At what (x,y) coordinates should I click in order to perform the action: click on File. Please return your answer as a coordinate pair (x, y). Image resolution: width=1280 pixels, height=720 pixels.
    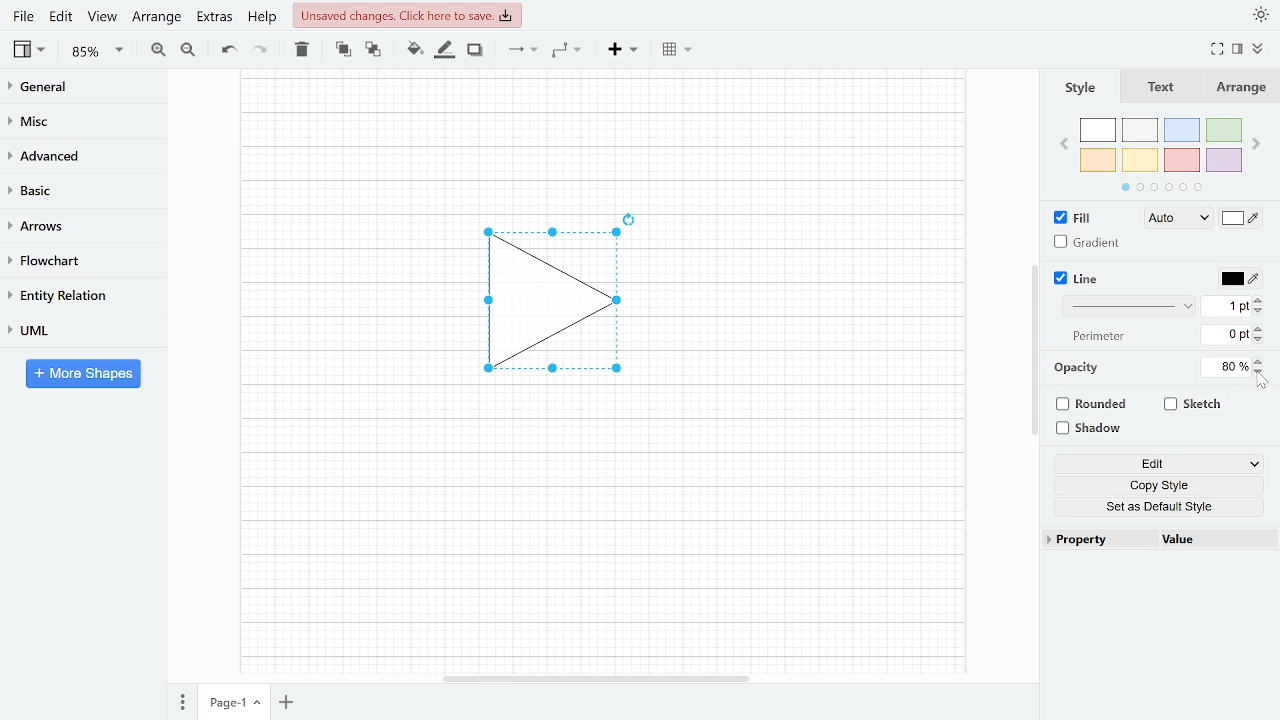
    Looking at the image, I should click on (23, 16).